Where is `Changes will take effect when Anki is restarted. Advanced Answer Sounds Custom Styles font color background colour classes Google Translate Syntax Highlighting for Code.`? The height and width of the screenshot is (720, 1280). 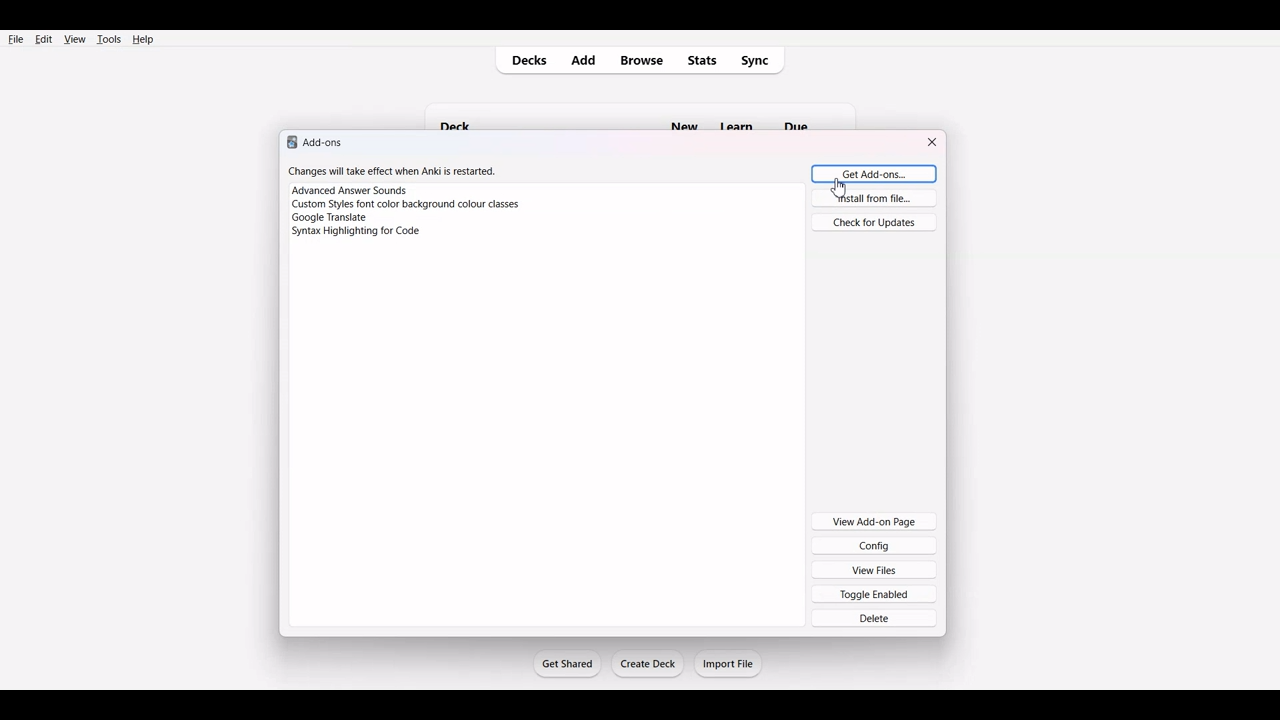 Changes will take effect when Anki is restarted. Advanced Answer Sounds Custom Styles font color background colour classes Google Translate Syntax Highlighting for Code. is located at coordinates (414, 208).